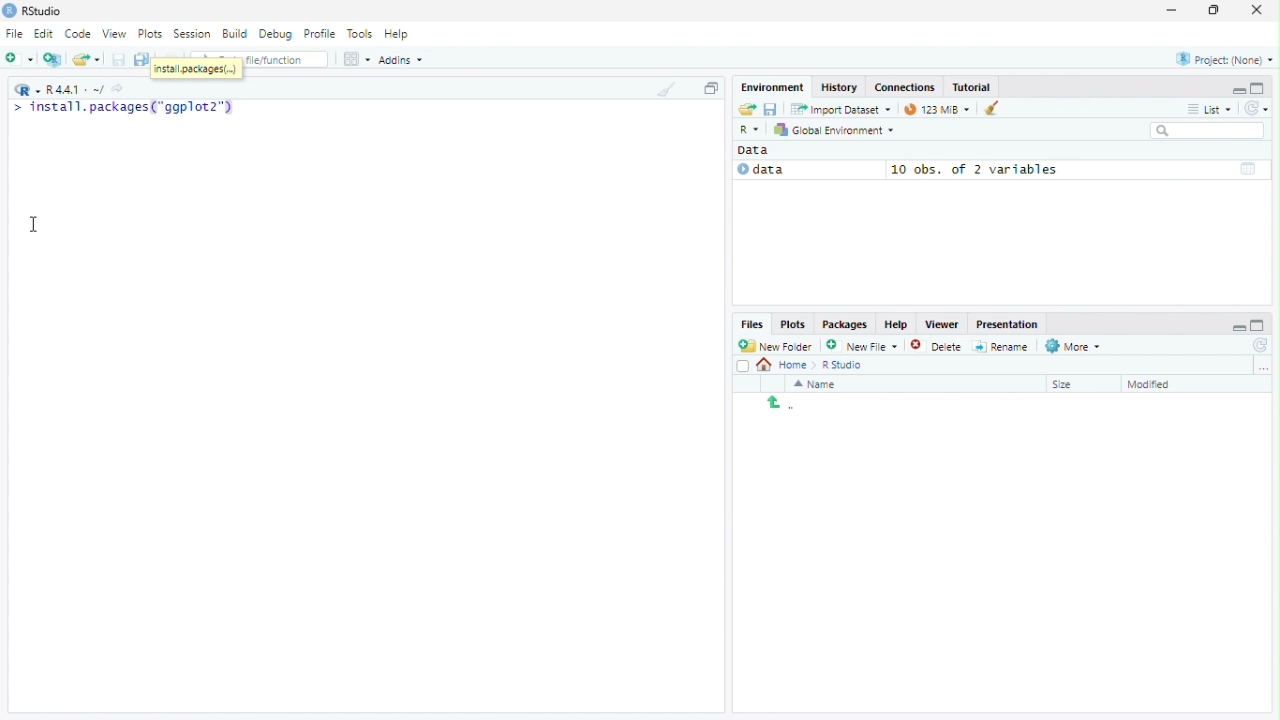 Image resolution: width=1280 pixels, height=720 pixels. What do you see at coordinates (89, 59) in the screenshot?
I see `open an existing file` at bounding box center [89, 59].